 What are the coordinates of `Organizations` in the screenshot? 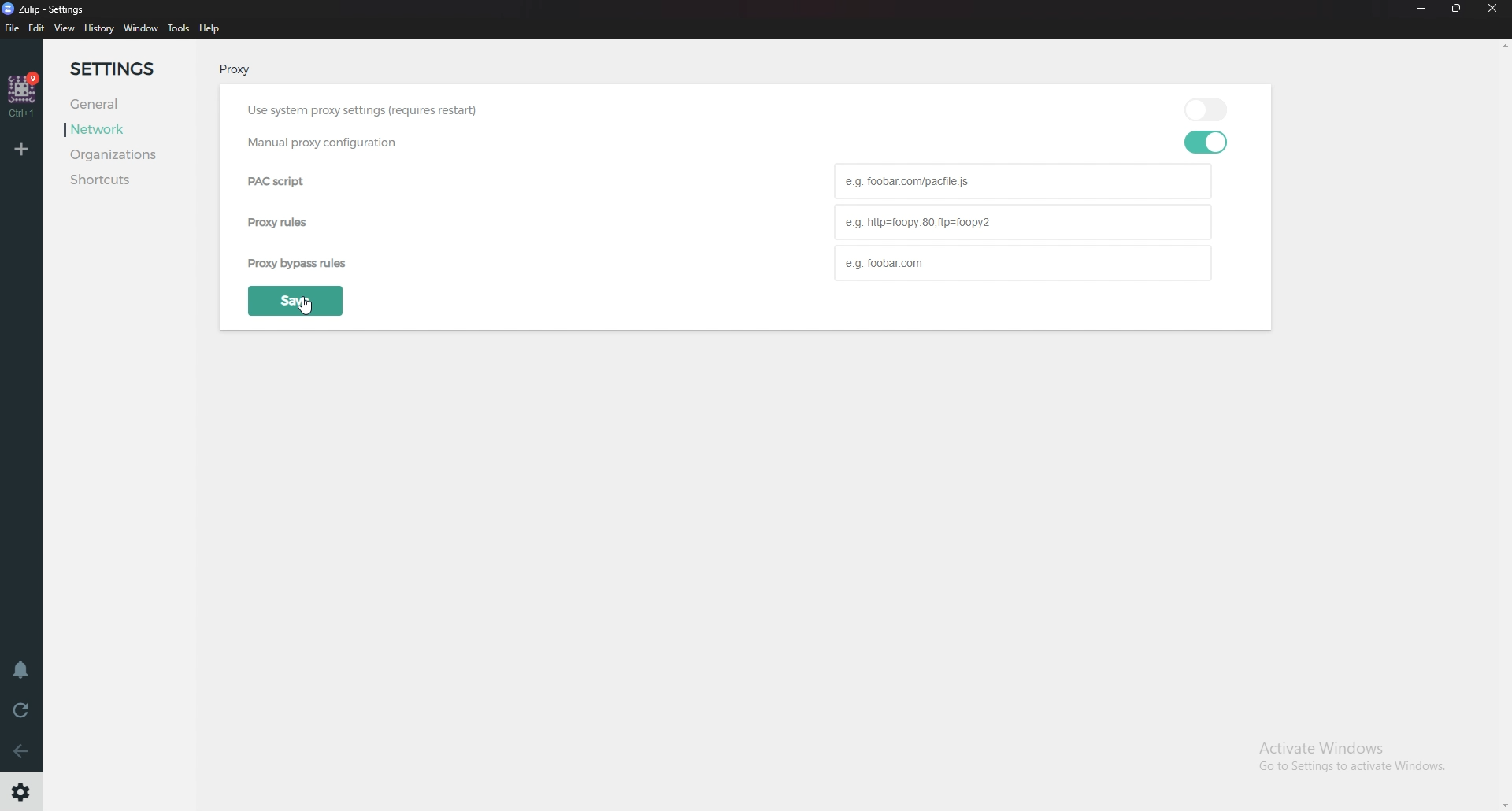 It's located at (134, 156).